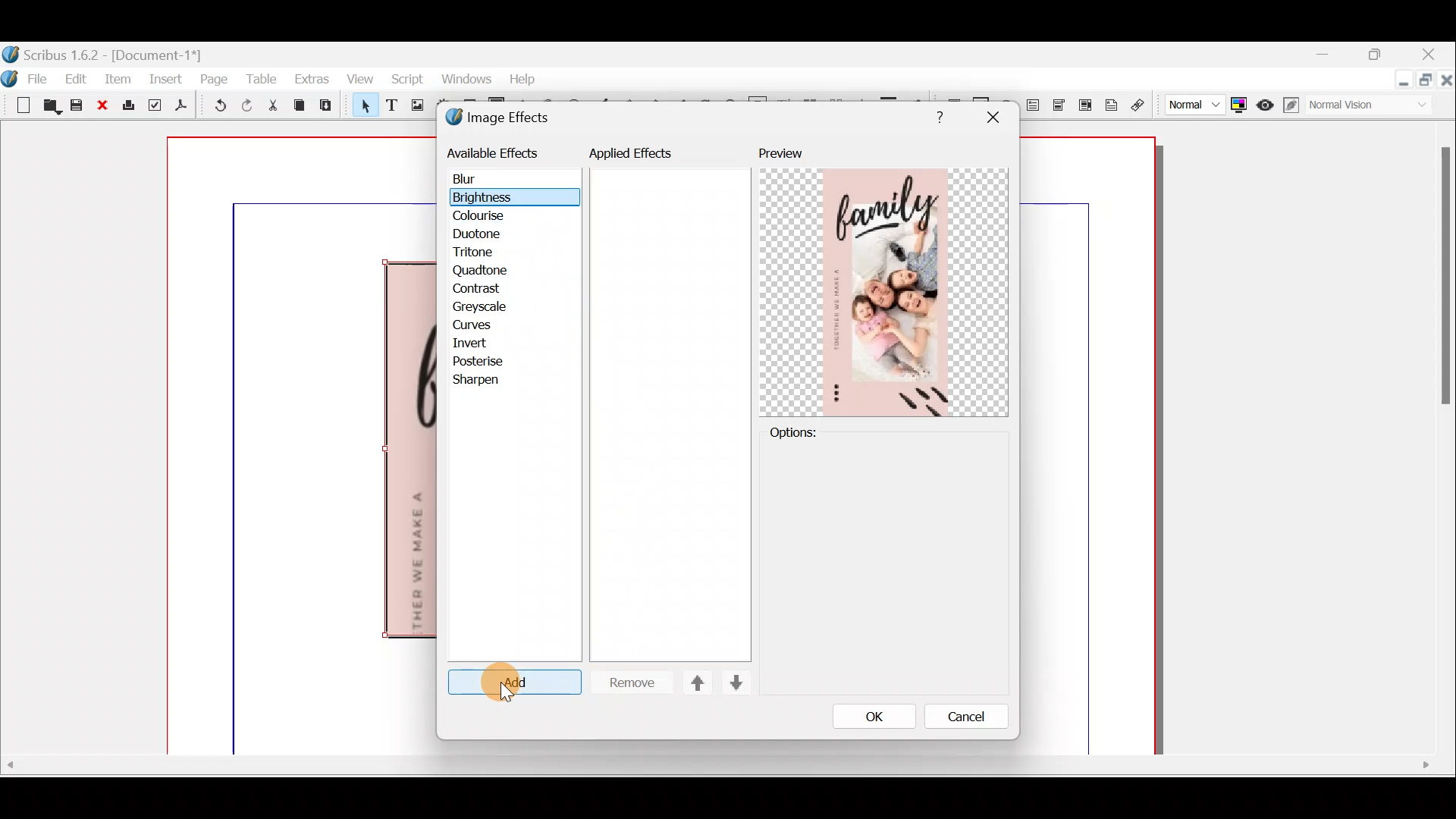 This screenshot has width=1456, height=819. What do you see at coordinates (1140, 105) in the screenshot?
I see `Link annotation` at bounding box center [1140, 105].